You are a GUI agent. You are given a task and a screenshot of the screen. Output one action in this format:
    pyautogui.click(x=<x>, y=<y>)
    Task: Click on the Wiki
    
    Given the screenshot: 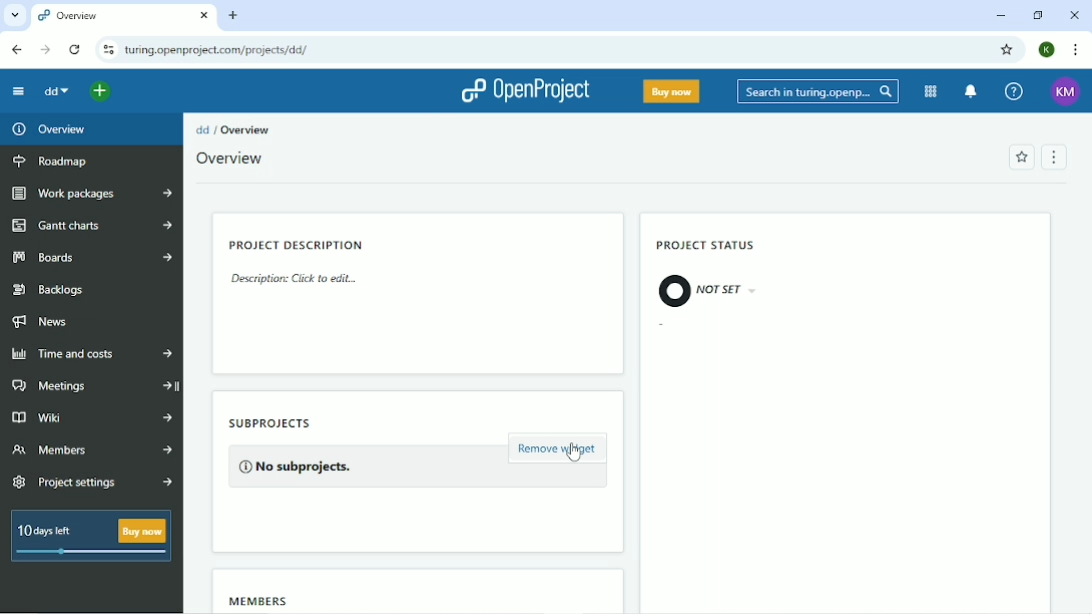 What is the action you would take?
    pyautogui.click(x=92, y=416)
    